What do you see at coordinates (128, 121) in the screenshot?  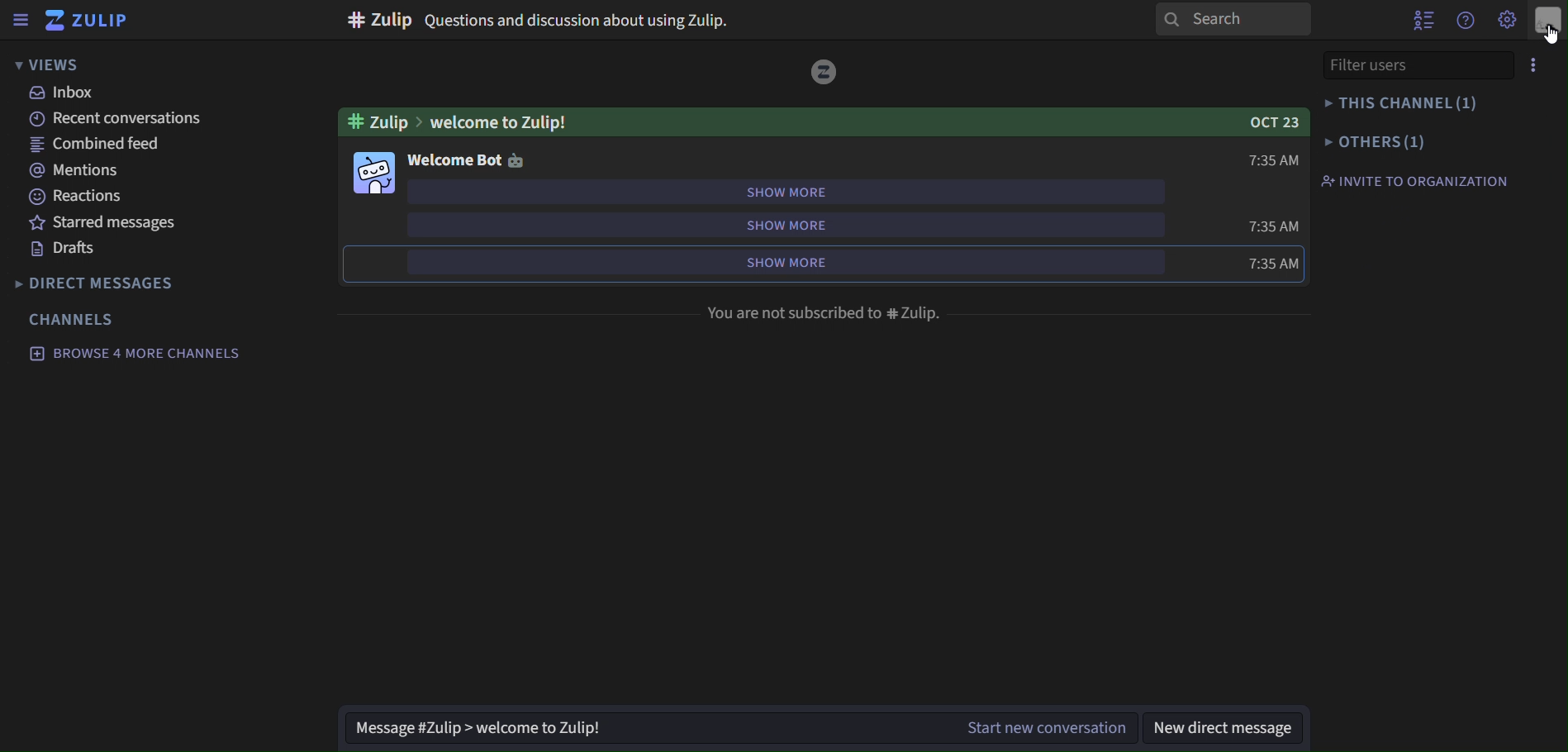 I see `recent conversations` at bounding box center [128, 121].